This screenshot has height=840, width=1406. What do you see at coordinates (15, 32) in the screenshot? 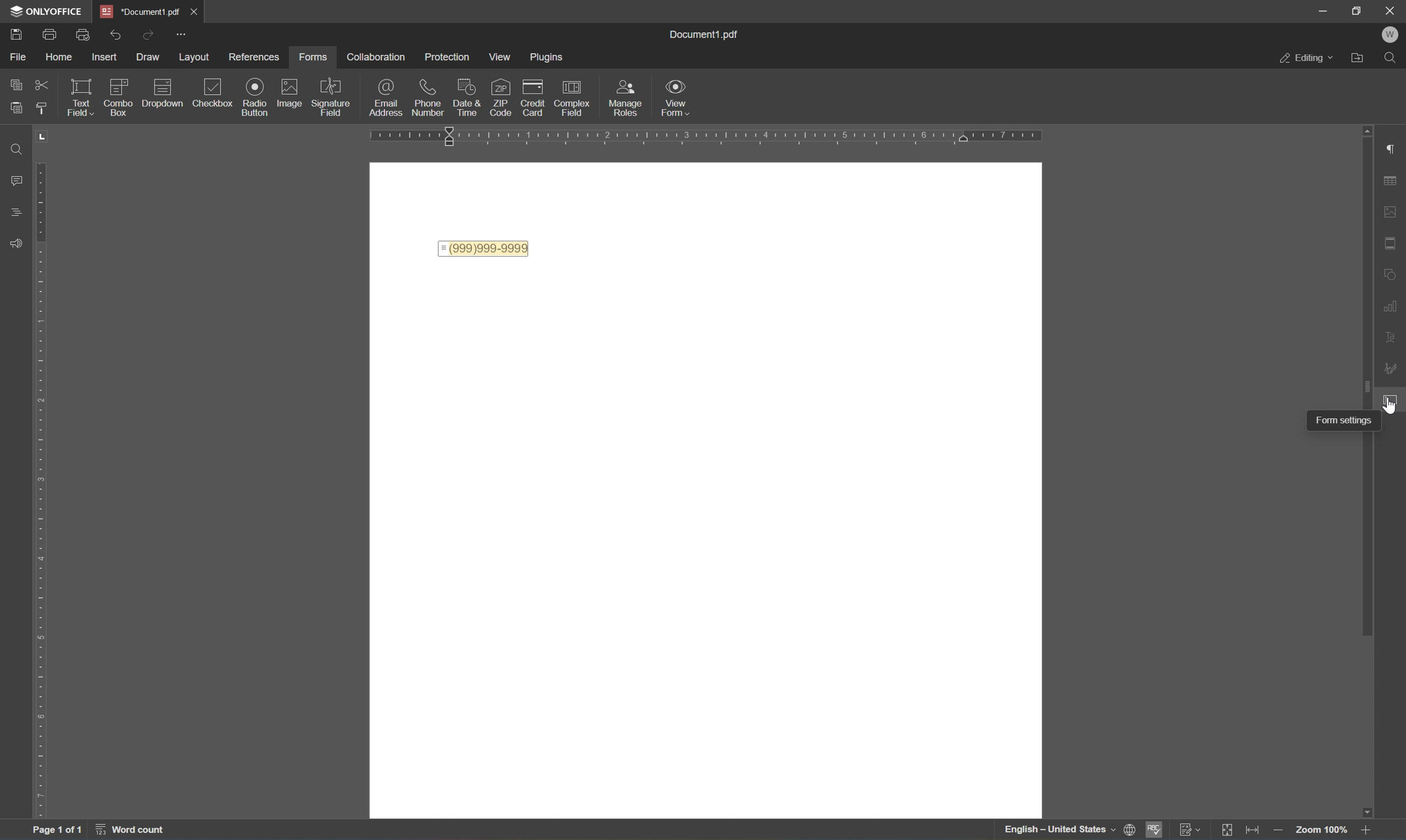
I see `print` at bounding box center [15, 32].